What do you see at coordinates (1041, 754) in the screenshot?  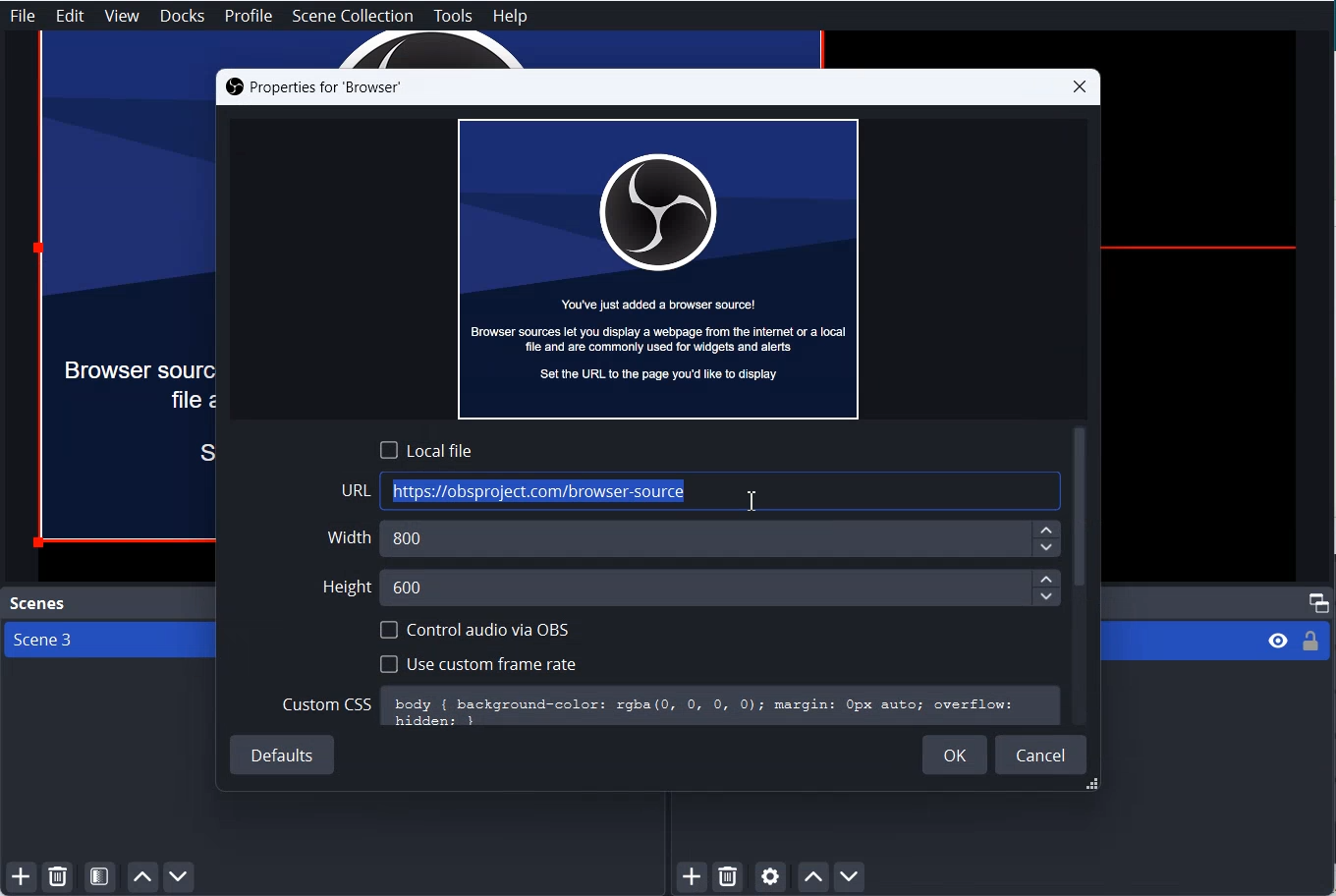 I see `Cancel` at bounding box center [1041, 754].